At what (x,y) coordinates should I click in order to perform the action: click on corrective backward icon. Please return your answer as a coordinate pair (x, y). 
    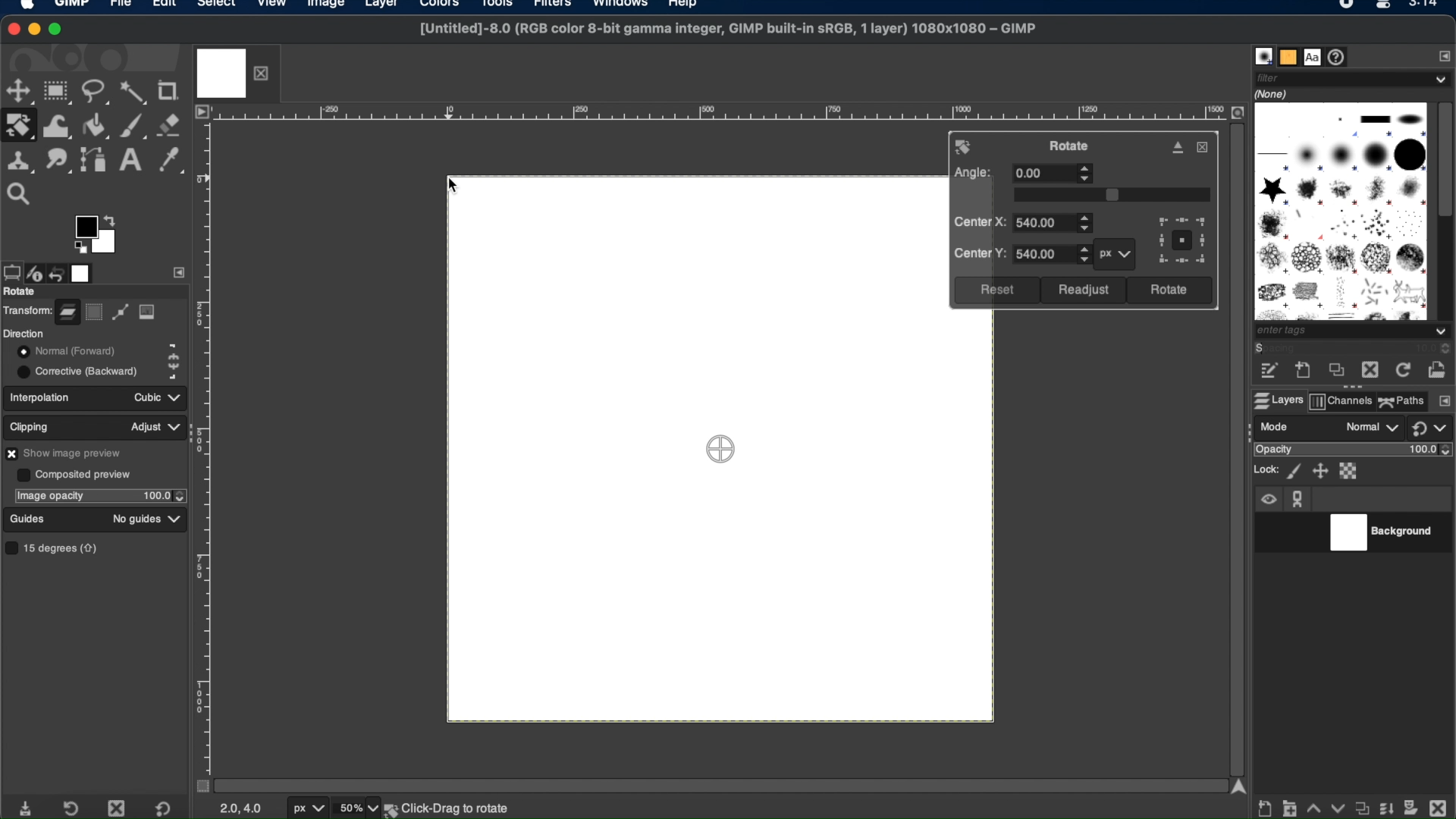
    Looking at the image, I should click on (171, 373).